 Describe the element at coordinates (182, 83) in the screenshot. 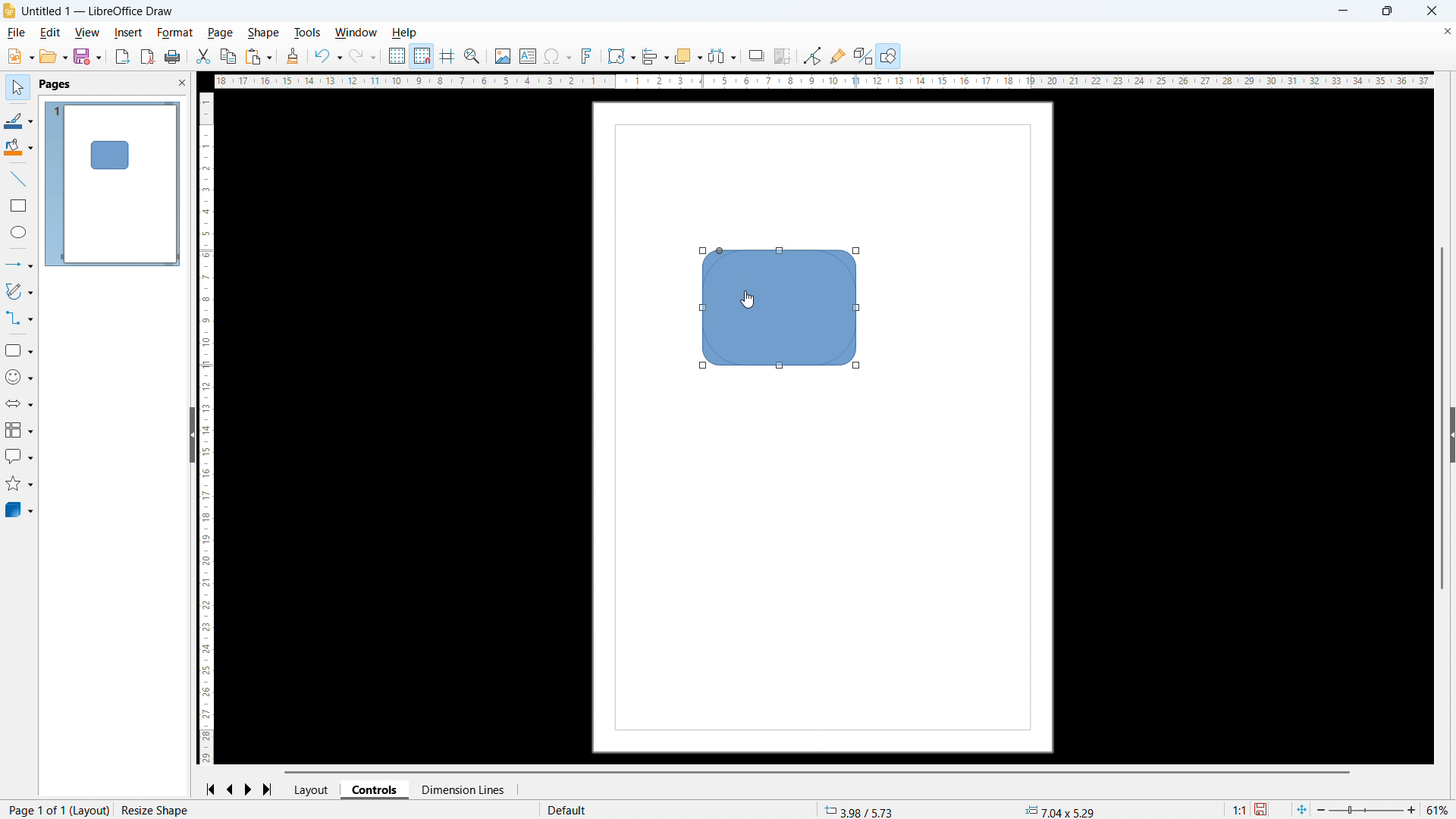

I see `close pane ` at that location.